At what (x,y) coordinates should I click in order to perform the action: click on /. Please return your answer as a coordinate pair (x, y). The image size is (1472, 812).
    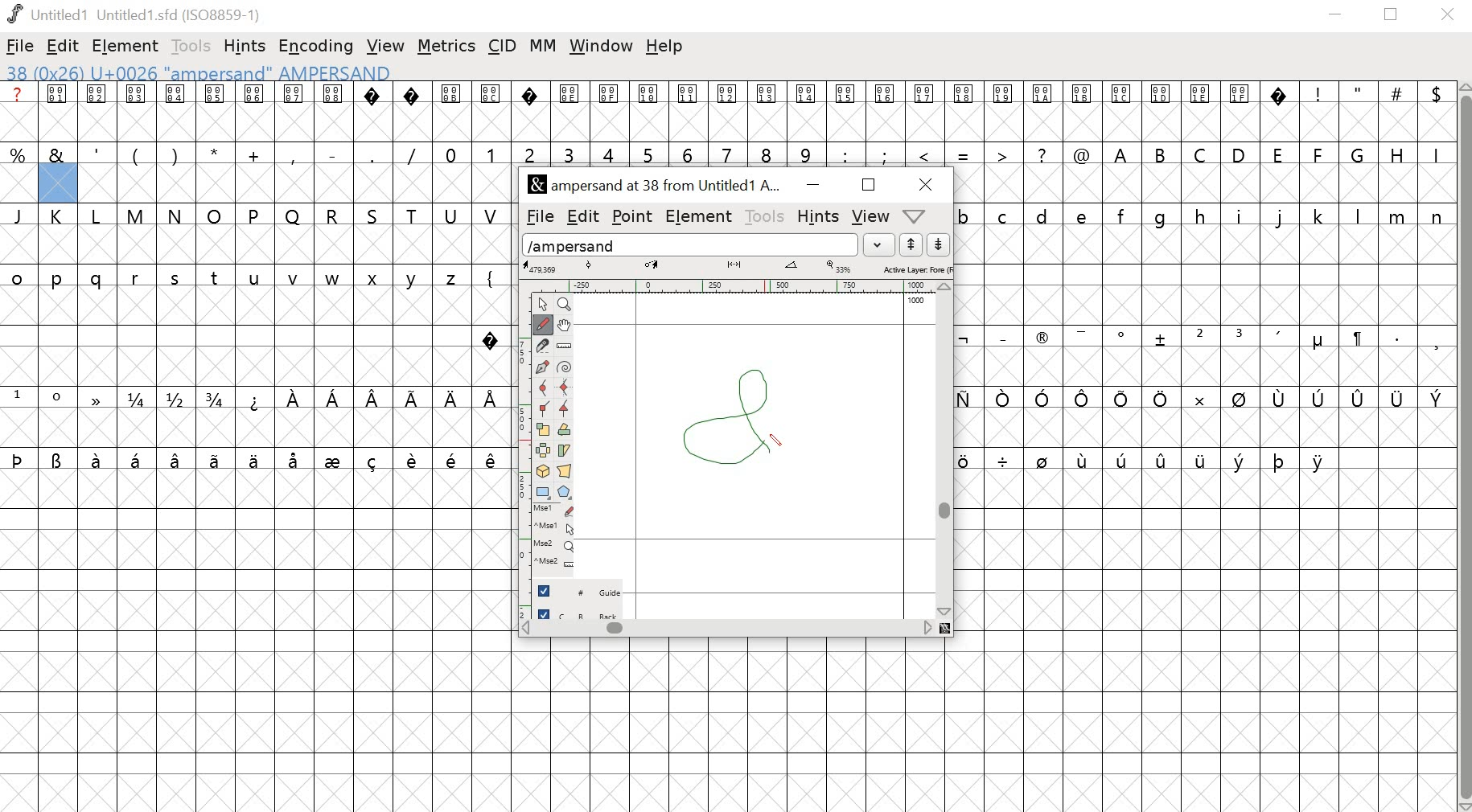
    Looking at the image, I should click on (412, 154).